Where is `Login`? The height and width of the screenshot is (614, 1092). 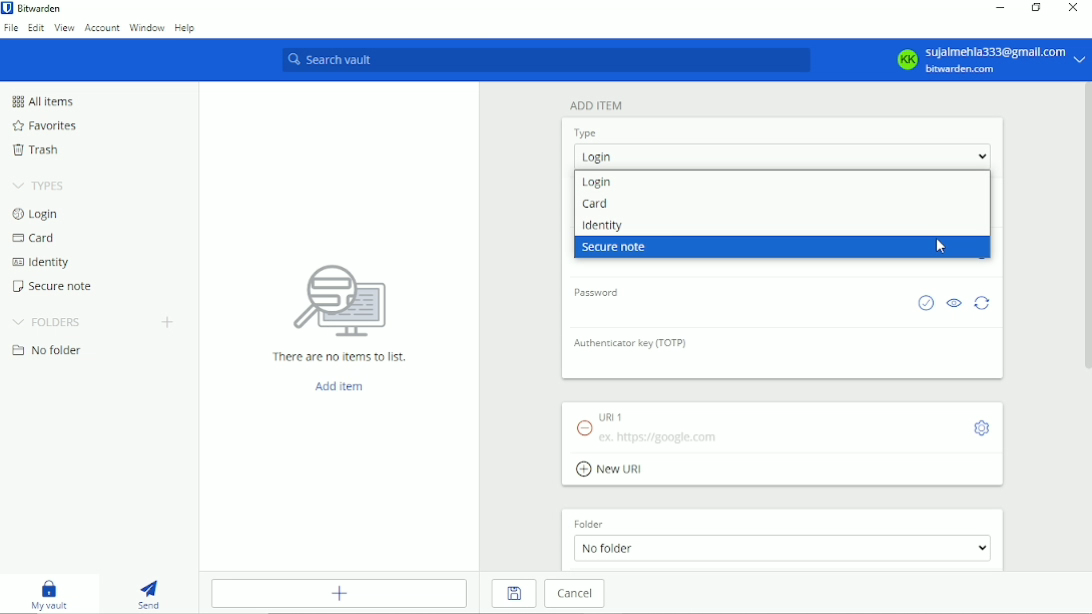 Login is located at coordinates (597, 182).